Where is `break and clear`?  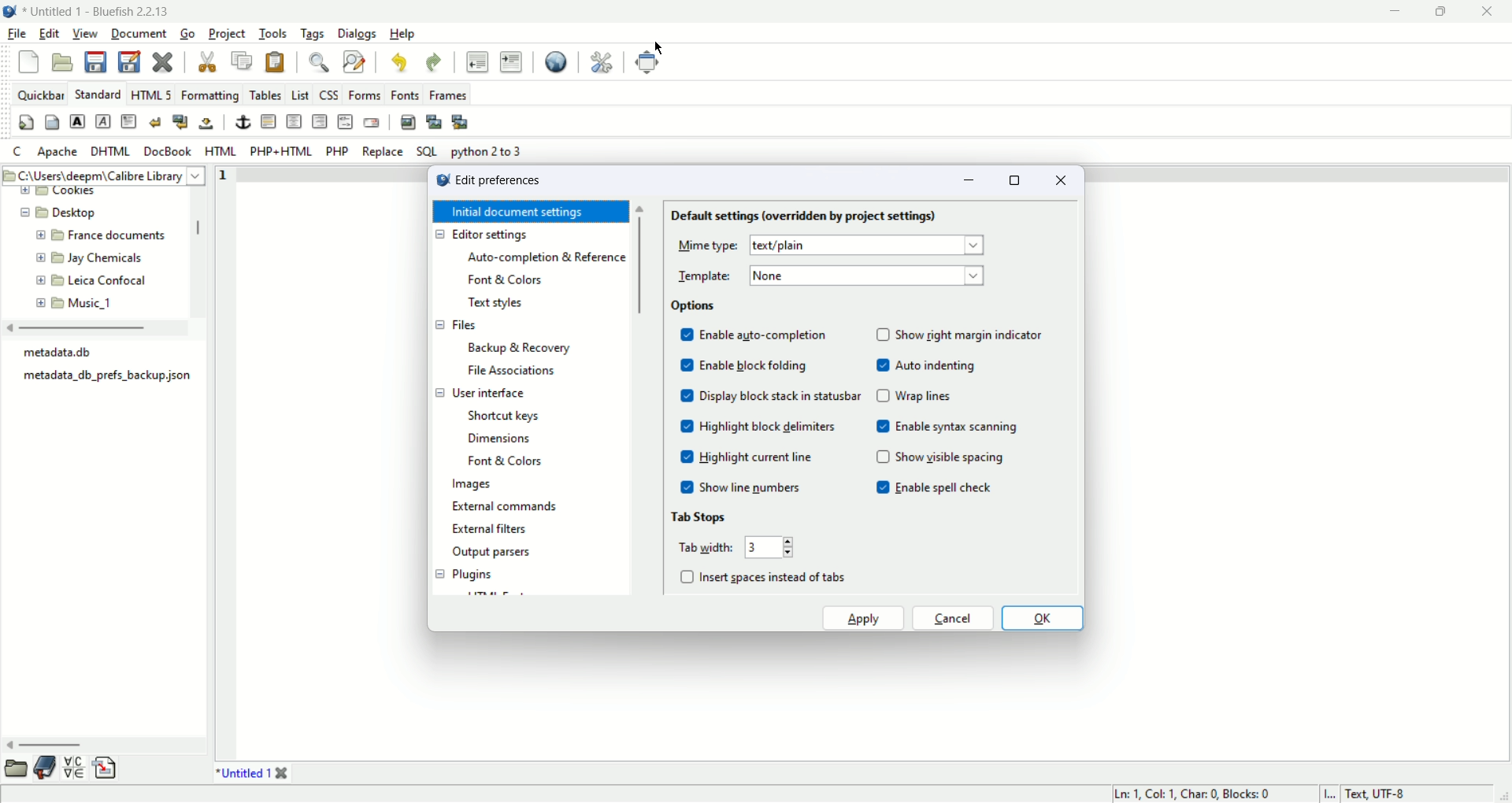
break and clear is located at coordinates (182, 123).